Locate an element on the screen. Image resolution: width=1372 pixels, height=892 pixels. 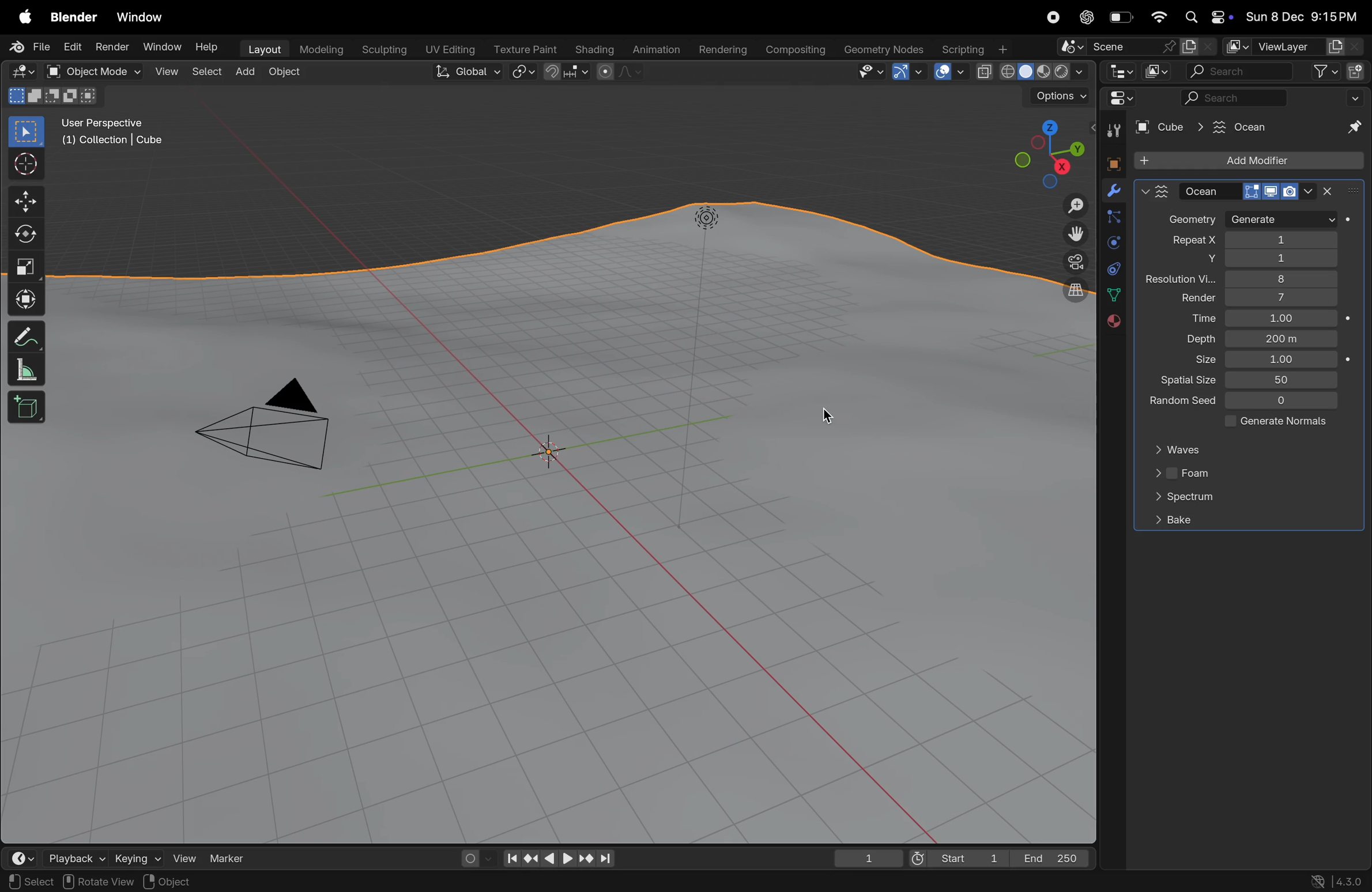
use collection cube is located at coordinates (111, 143).